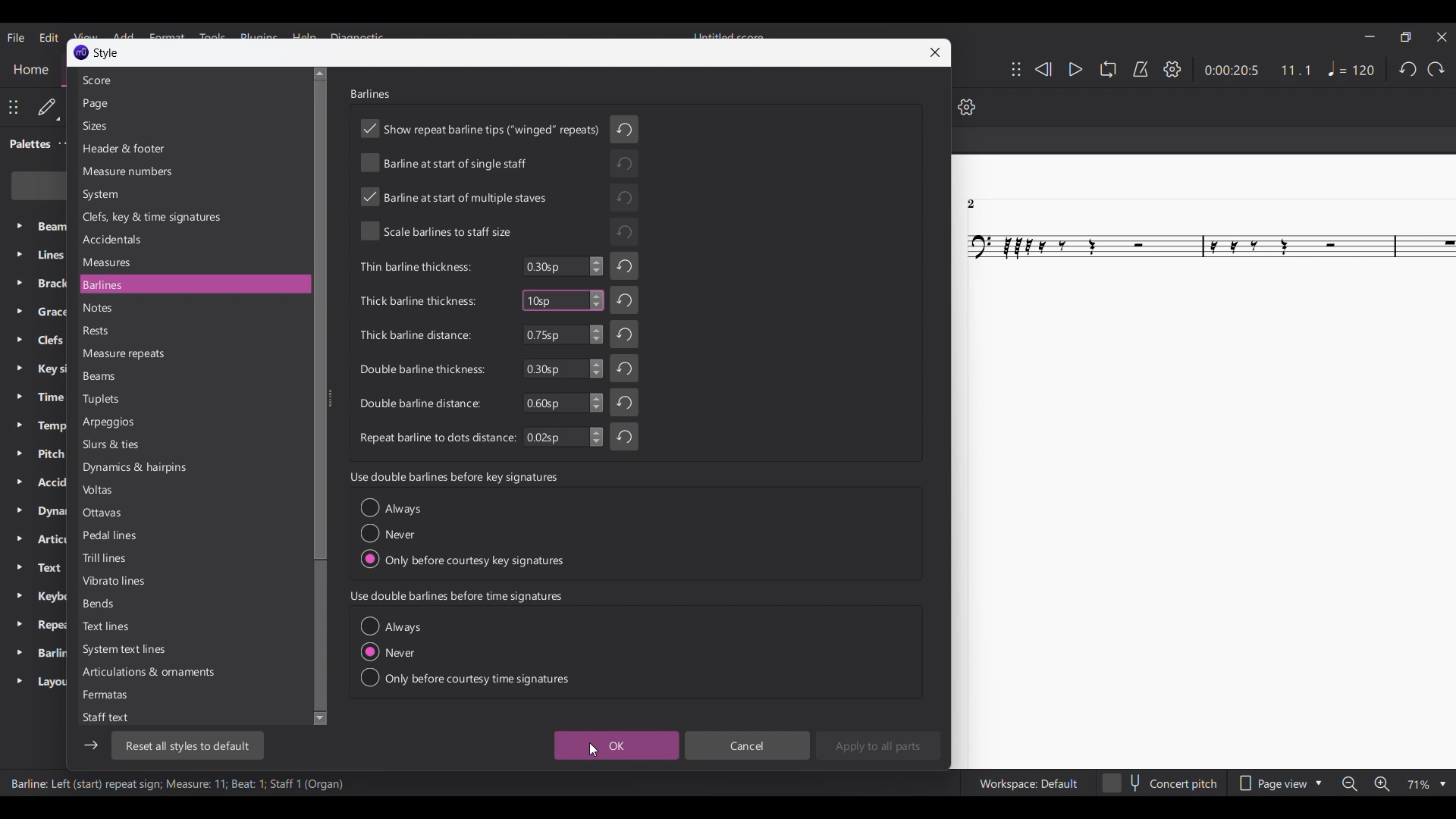 The image size is (1456, 819). I want to click on Zoom out, so click(1350, 784).